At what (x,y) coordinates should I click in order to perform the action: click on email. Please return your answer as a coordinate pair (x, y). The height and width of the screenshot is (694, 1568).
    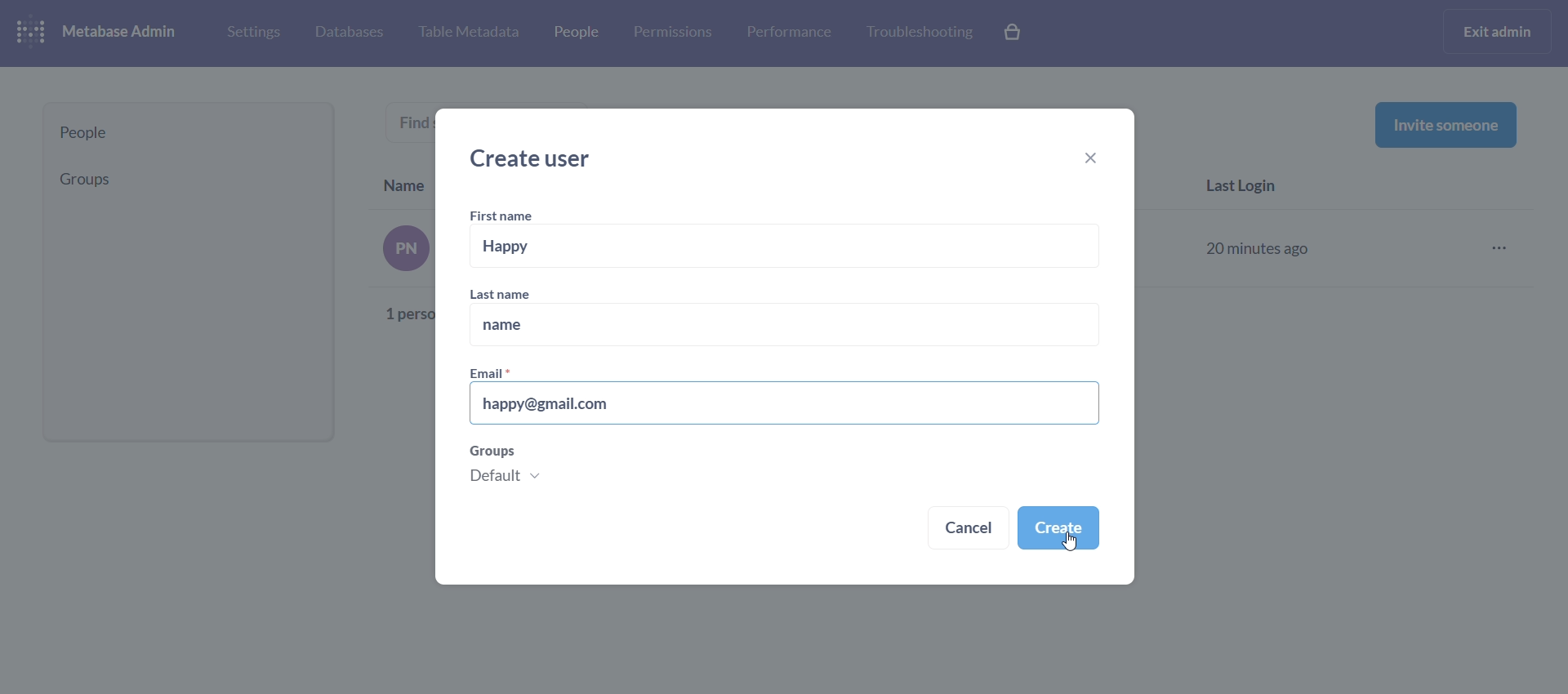
    Looking at the image, I should click on (495, 373).